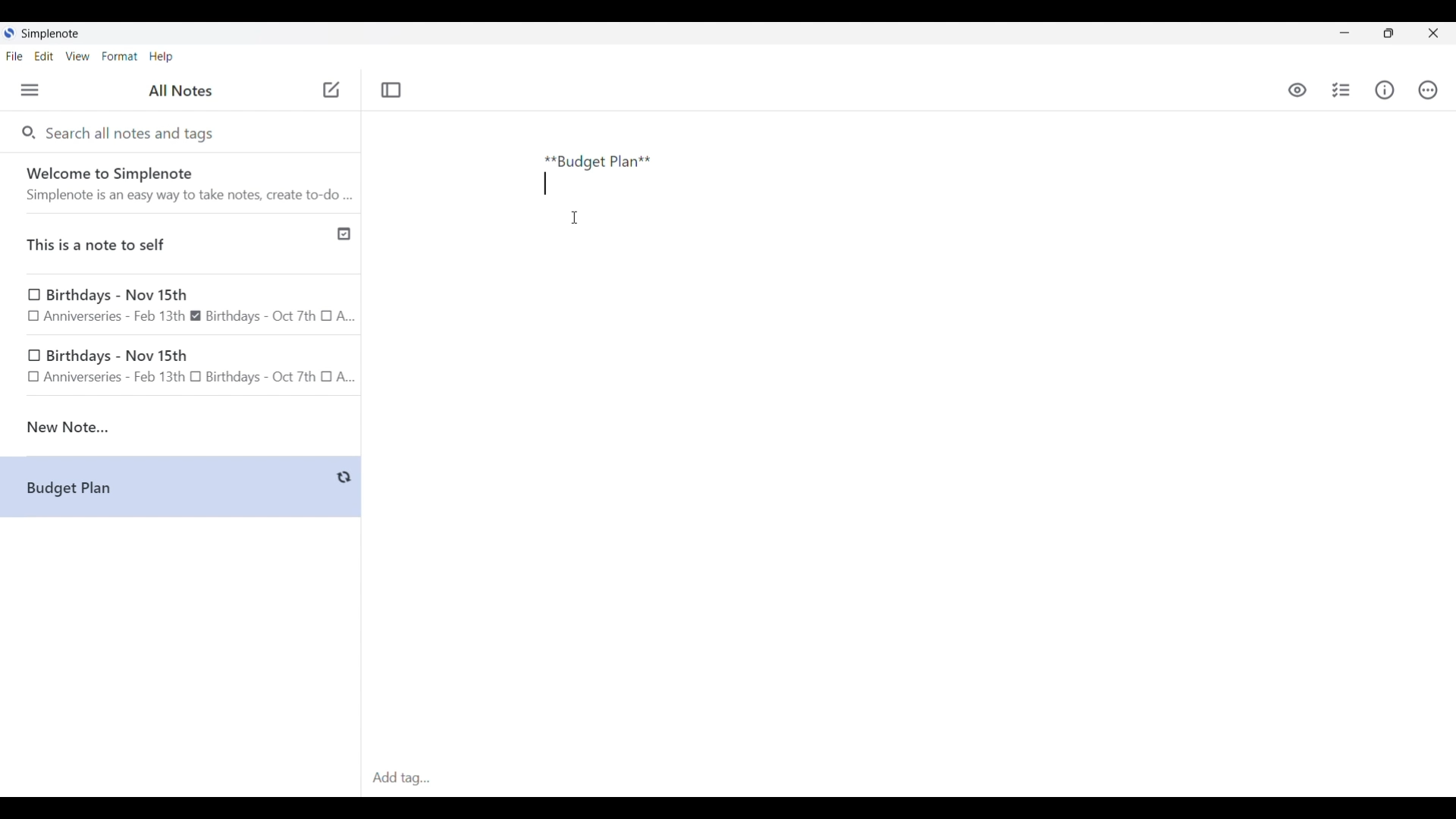 This screenshot has width=1456, height=819. What do you see at coordinates (598, 162) in the screenshot?
I see `Text typed in` at bounding box center [598, 162].